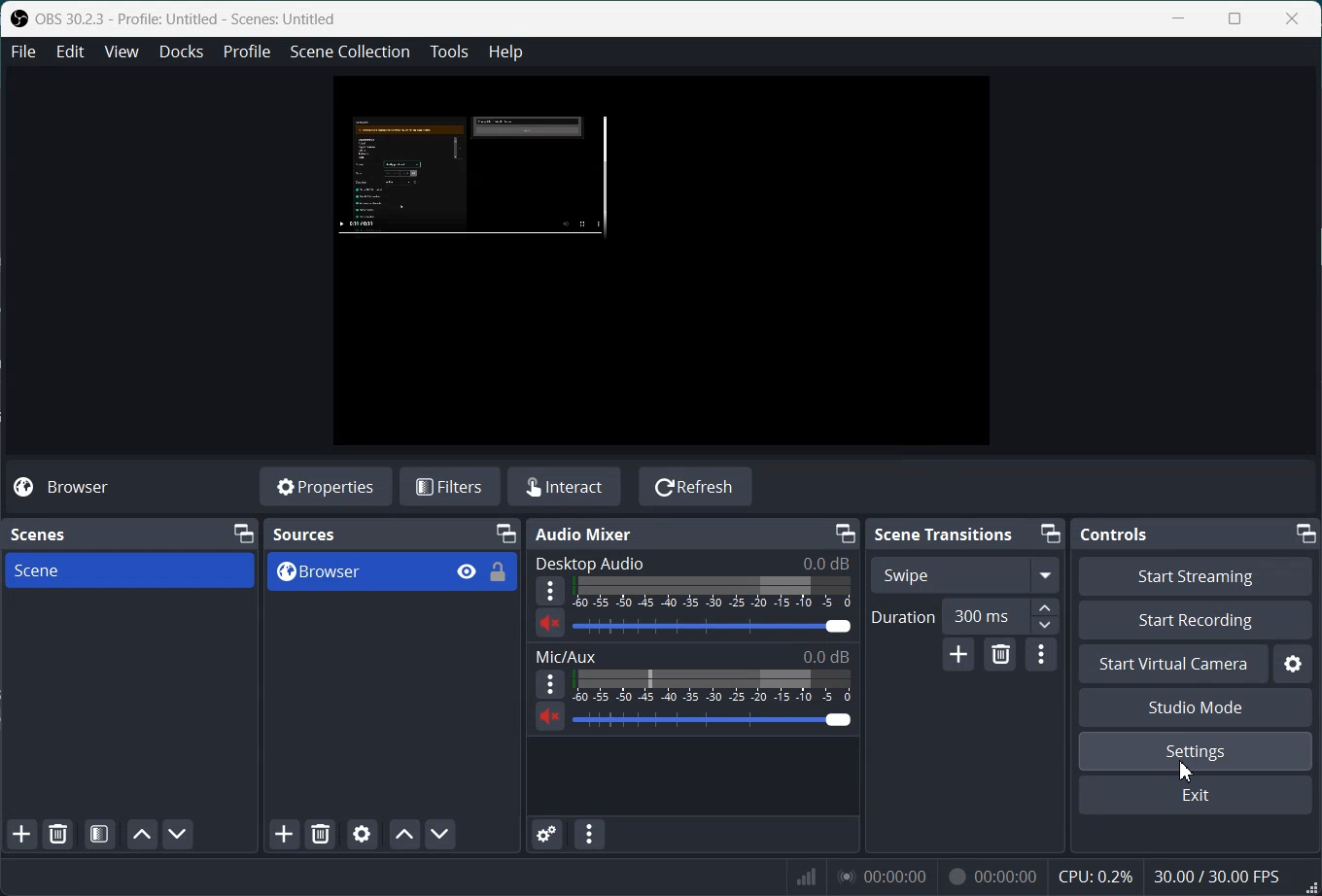 The image size is (1322, 896). What do you see at coordinates (1196, 796) in the screenshot?
I see `Exit` at bounding box center [1196, 796].